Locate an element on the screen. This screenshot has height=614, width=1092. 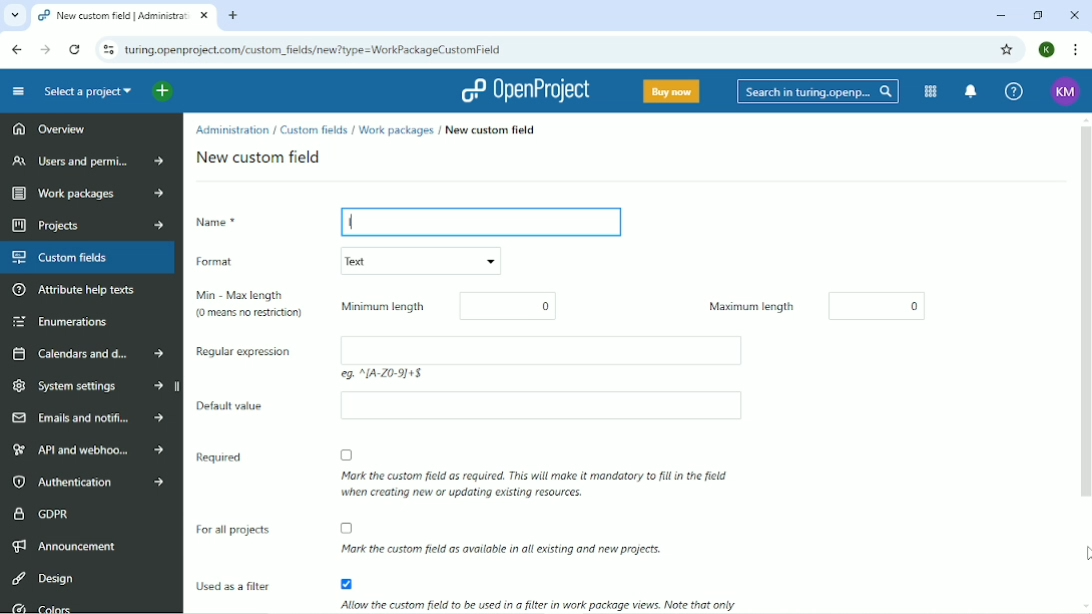
System settings is located at coordinates (90, 388).